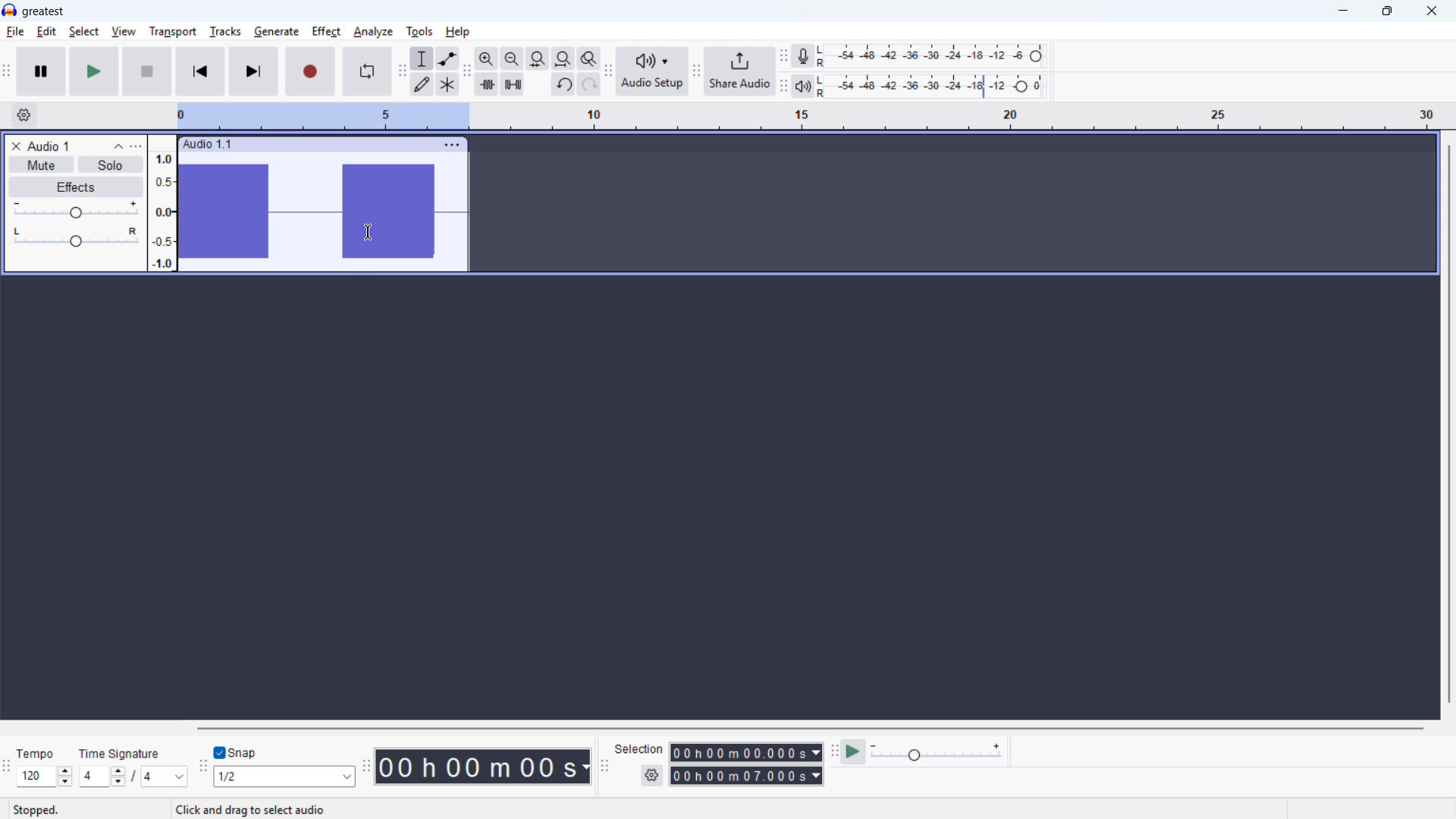 Image resolution: width=1456 pixels, height=819 pixels. I want to click on analyse, so click(372, 33).